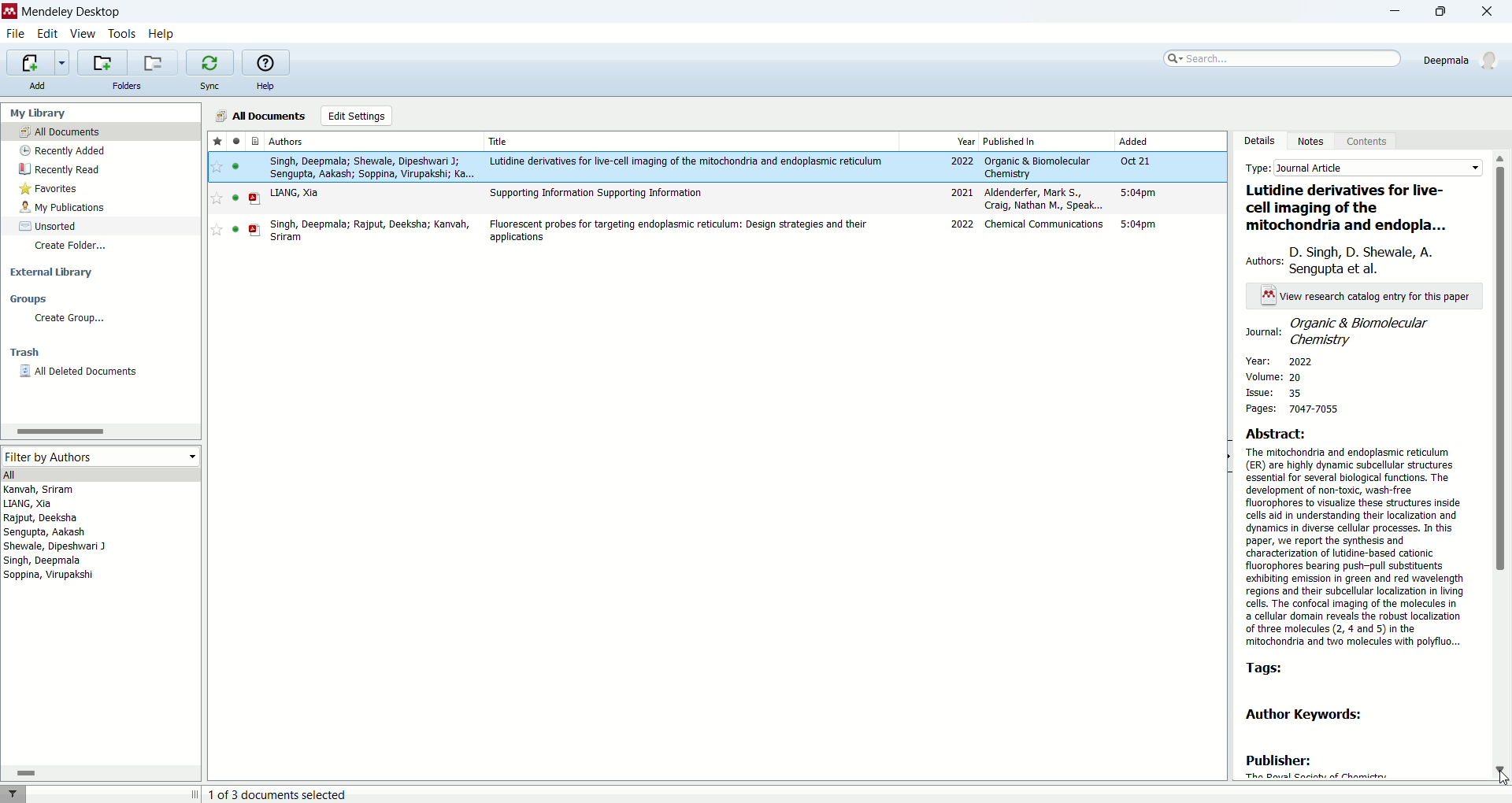  What do you see at coordinates (35, 85) in the screenshot?
I see `add` at bounding box center [35, 85].